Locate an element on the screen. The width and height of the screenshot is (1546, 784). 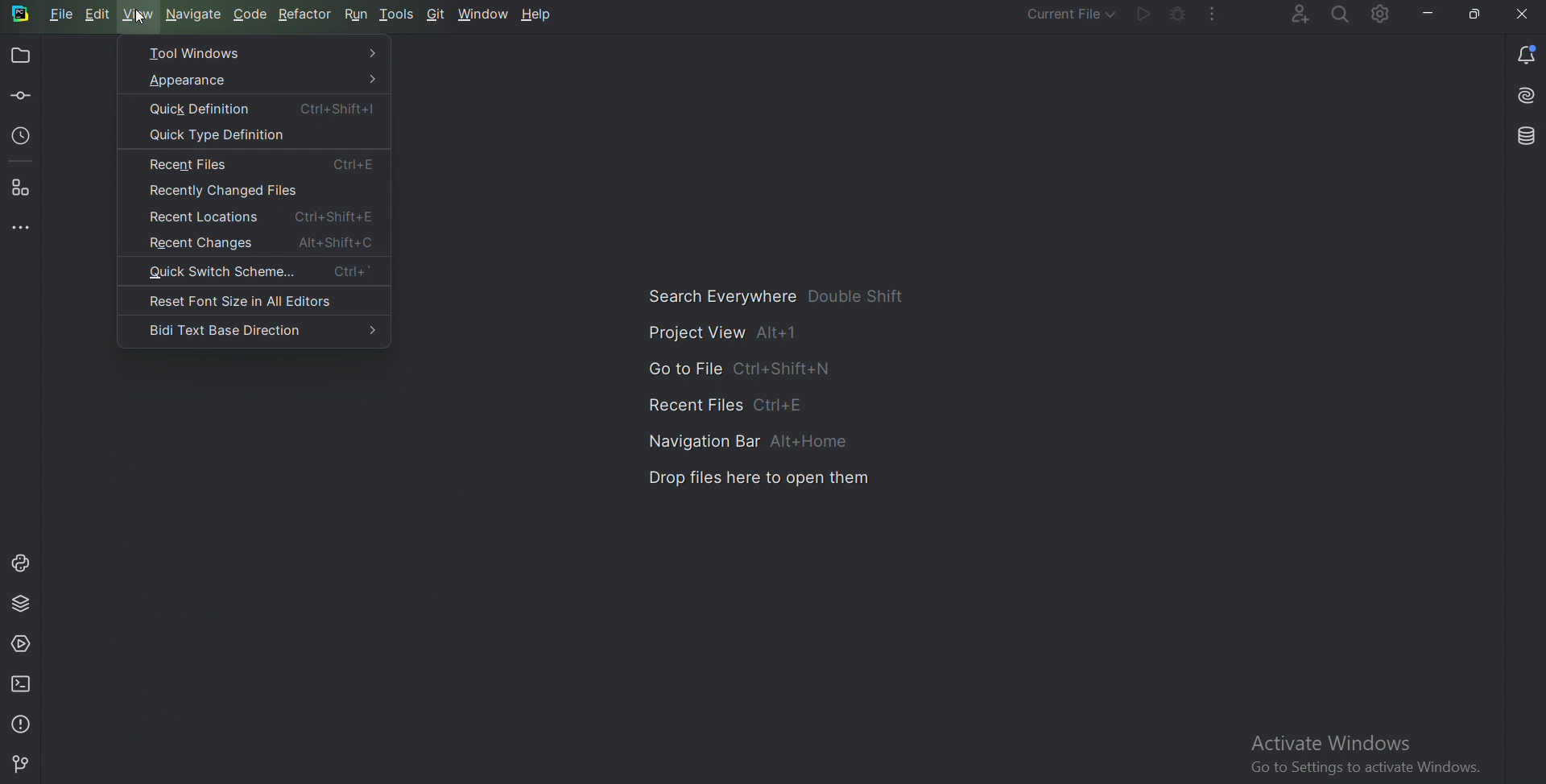
code is located at coordinates (250, 14).